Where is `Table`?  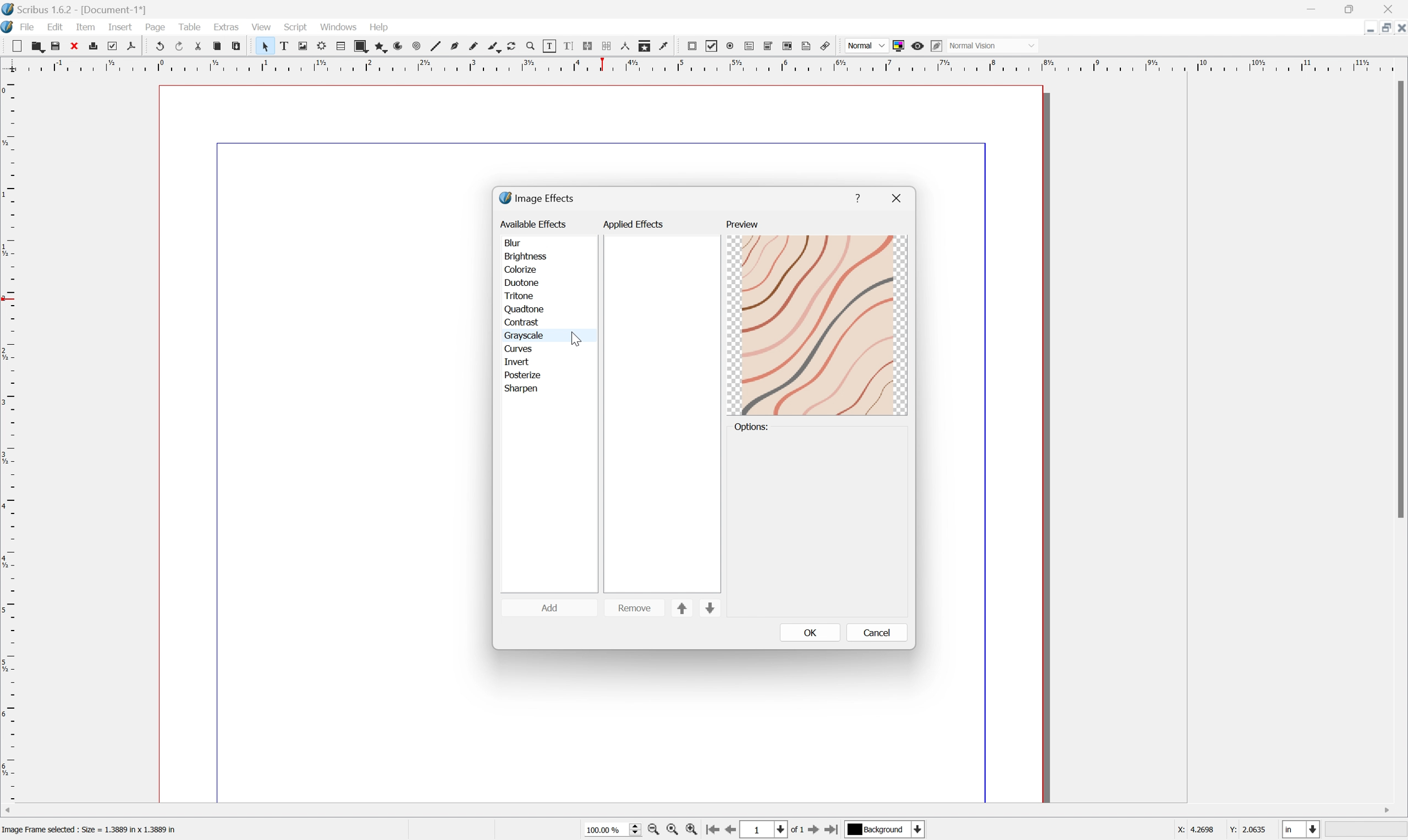
Table is located at coordinates (191, 25).